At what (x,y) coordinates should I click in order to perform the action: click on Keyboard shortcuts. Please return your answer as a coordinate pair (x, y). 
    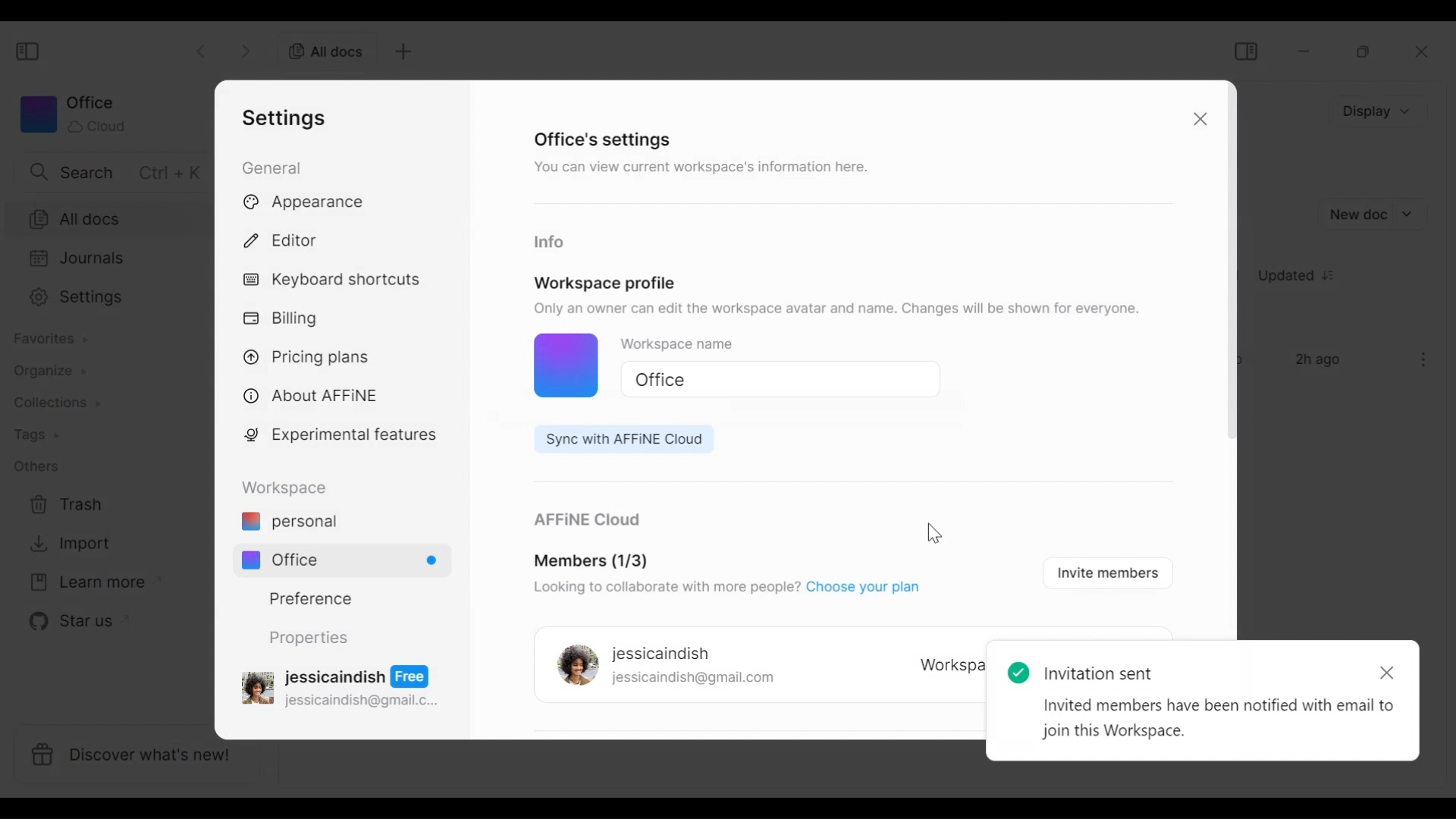
    Looking at the image, I should click on (334, 281).